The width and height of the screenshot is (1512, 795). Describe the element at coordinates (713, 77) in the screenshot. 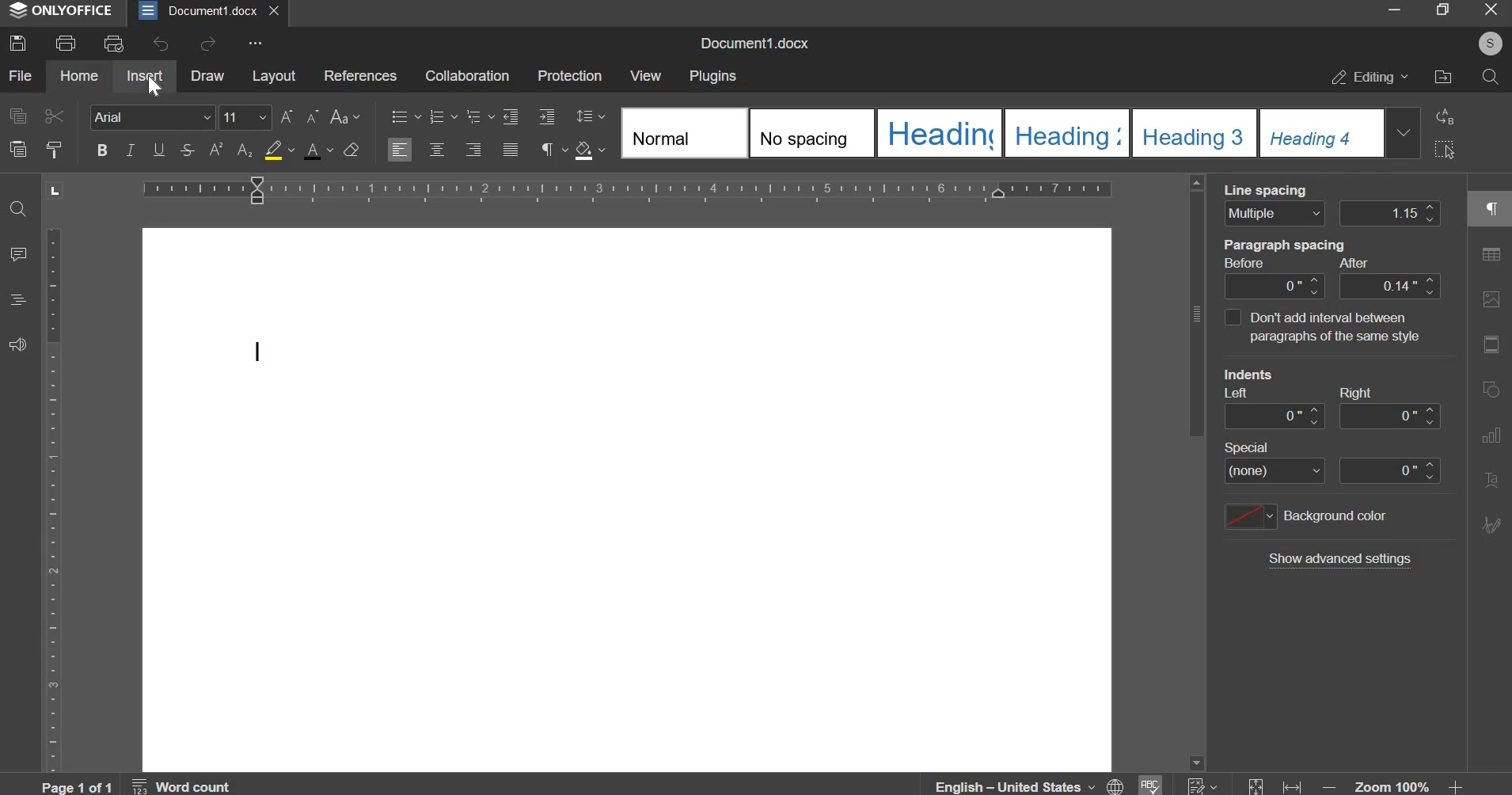

I see `plugins` at that location.